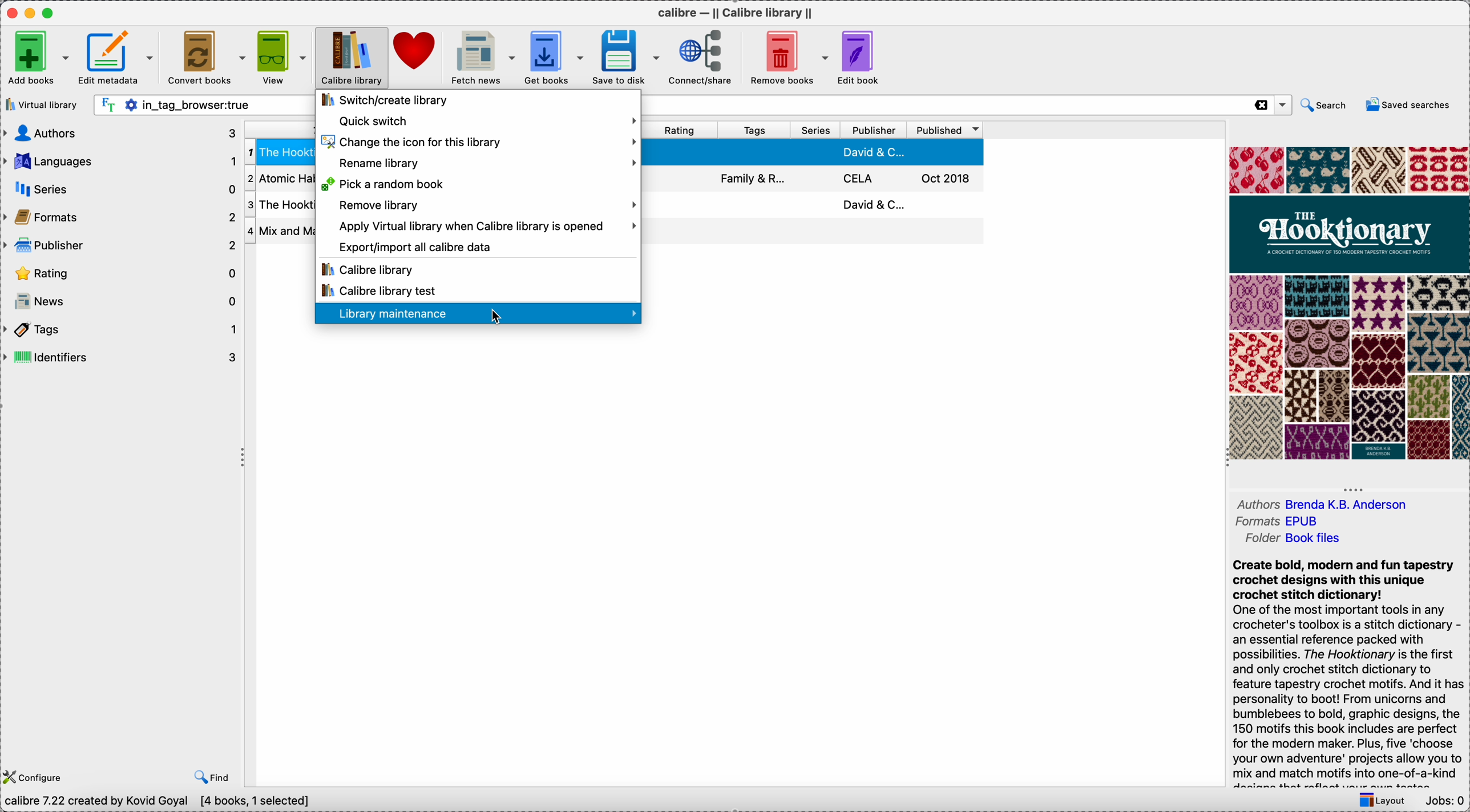 The width and height of the screenshot is (1470, 812). I want to click on options, so click(1282, 106).